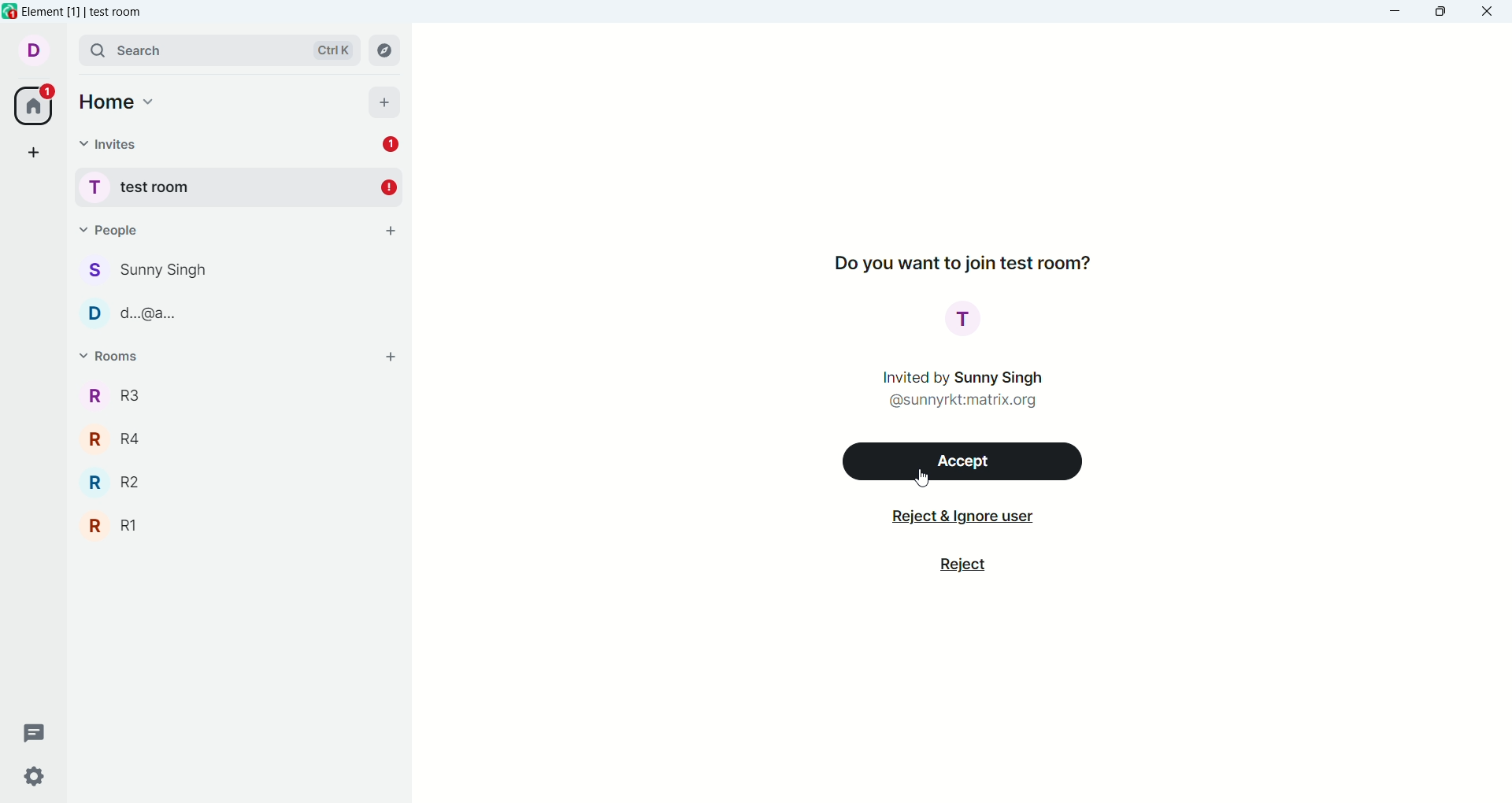 Image resolution: width=1512 pixels, height=803 pixels. What do you see at coordinates (235, 480) in the screenshot?
I see `R2` at bounding box center [235, 480].